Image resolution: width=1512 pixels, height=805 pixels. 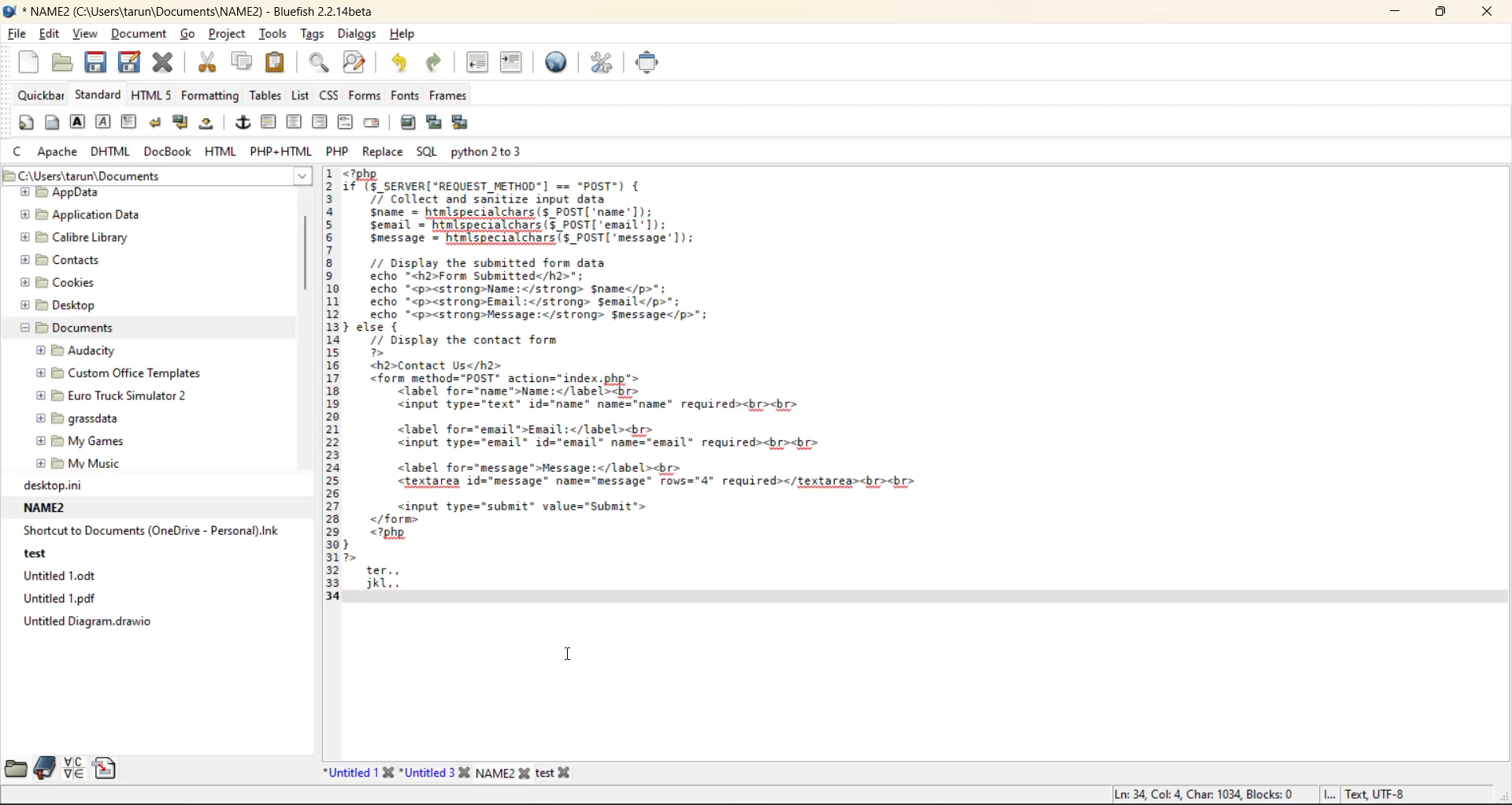 What do you see at coordinates (58, 282) in the screenshot?
I see `Cookies` at bounding box center [58, 282].